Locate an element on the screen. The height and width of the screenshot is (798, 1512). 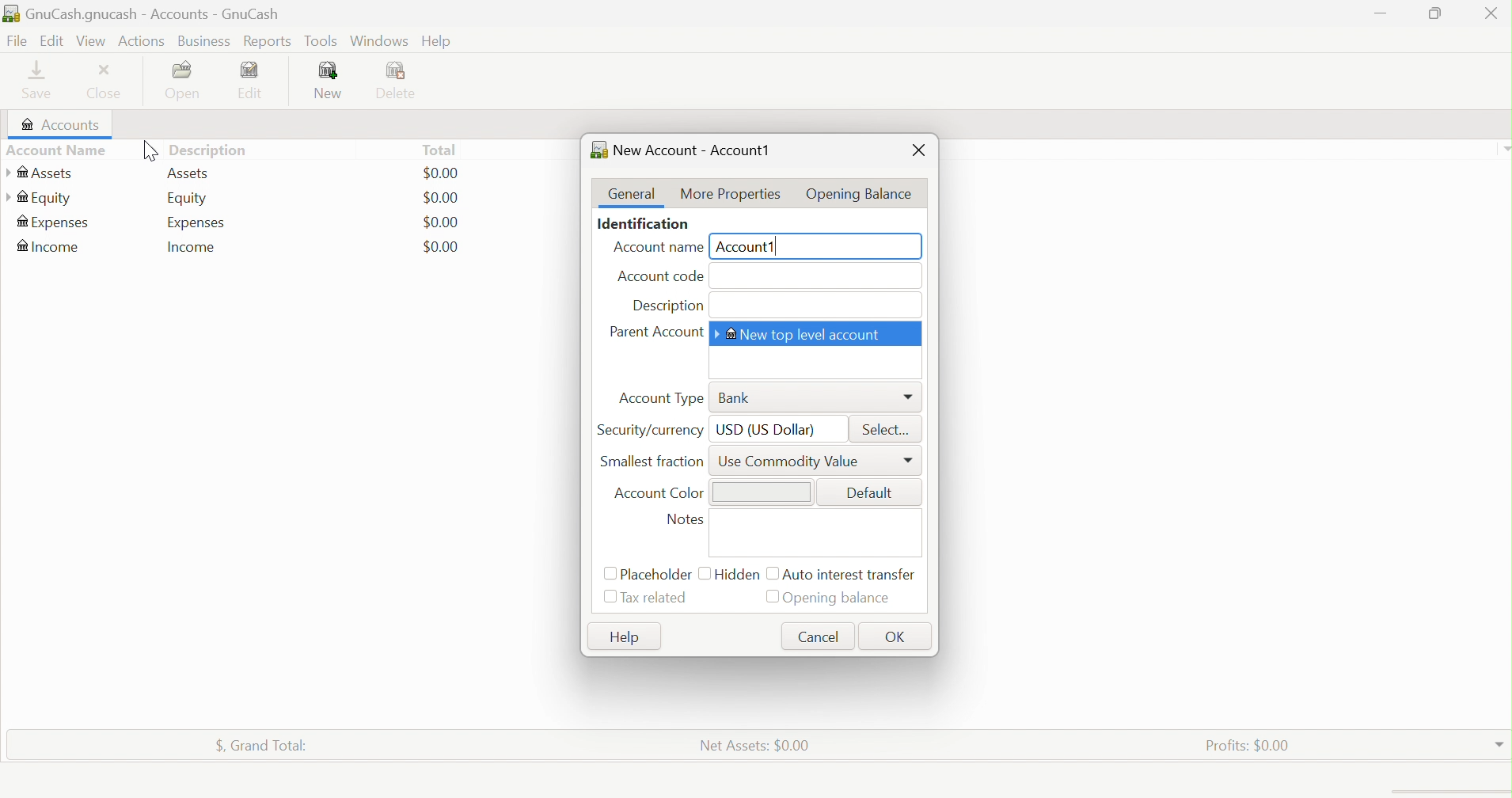
Opening balance is located at coordinates (841, 599).